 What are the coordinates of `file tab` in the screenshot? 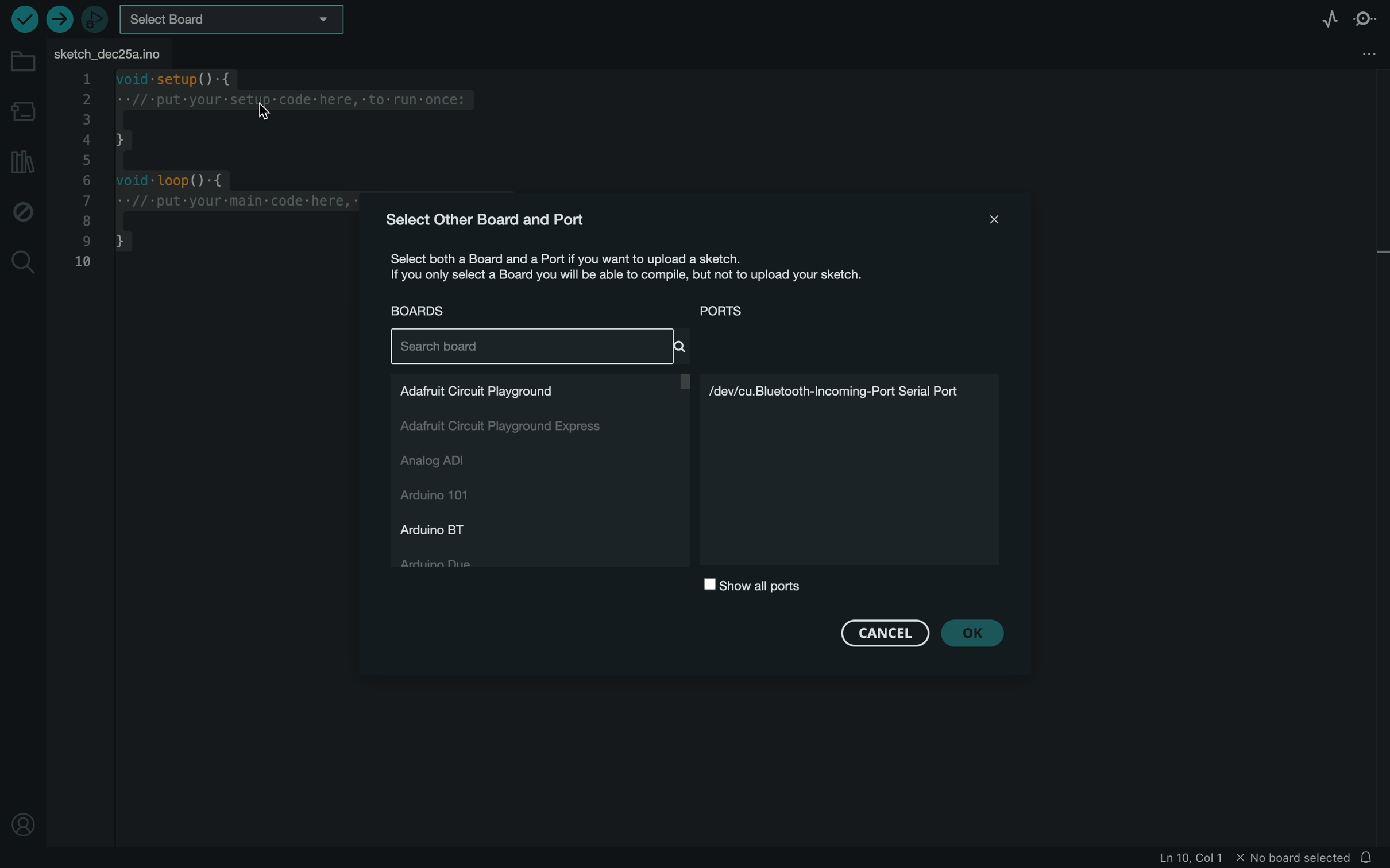 It's located at (84, 52).